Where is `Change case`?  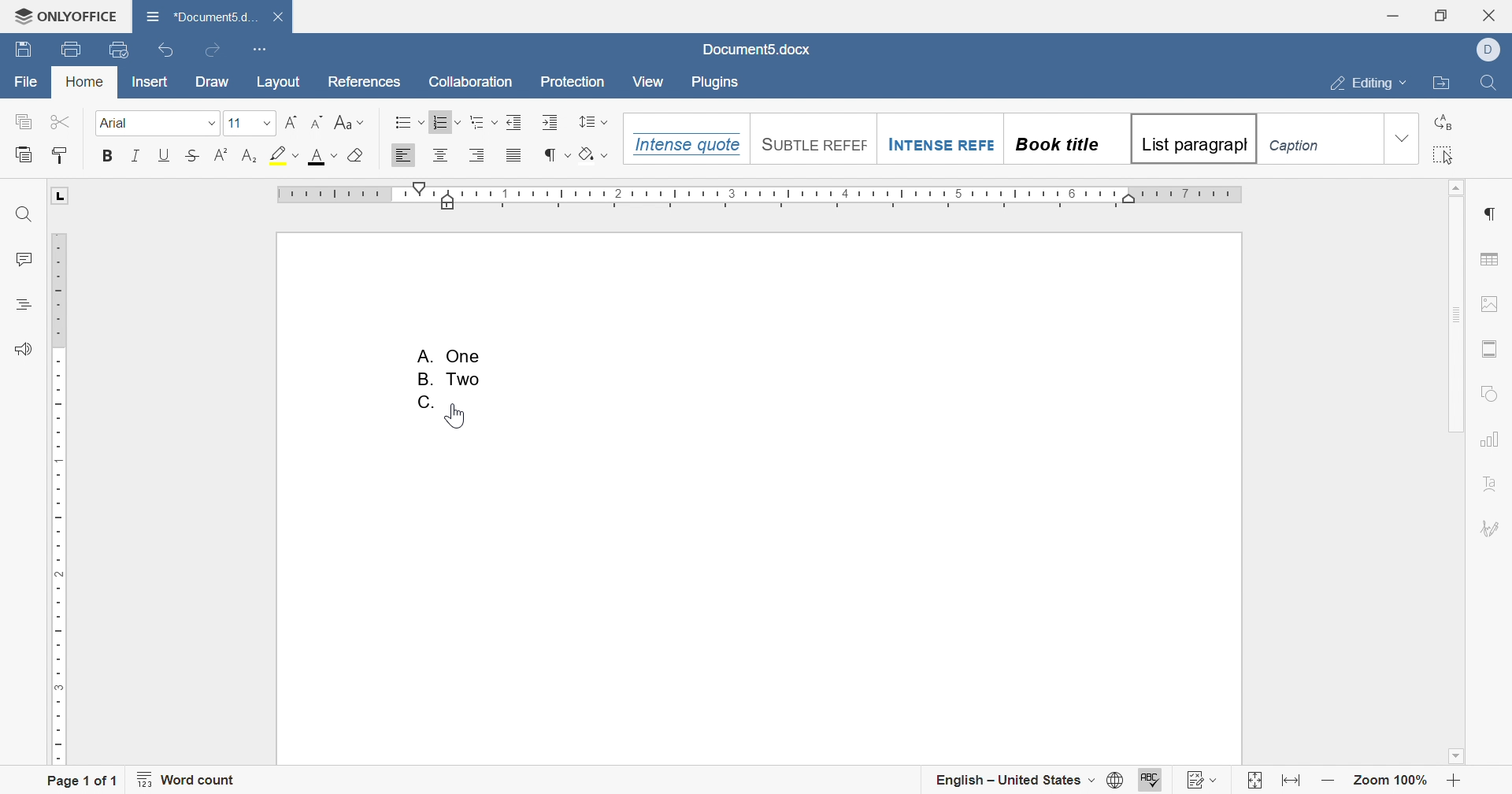
Change case is located at coordinates (350, 122).